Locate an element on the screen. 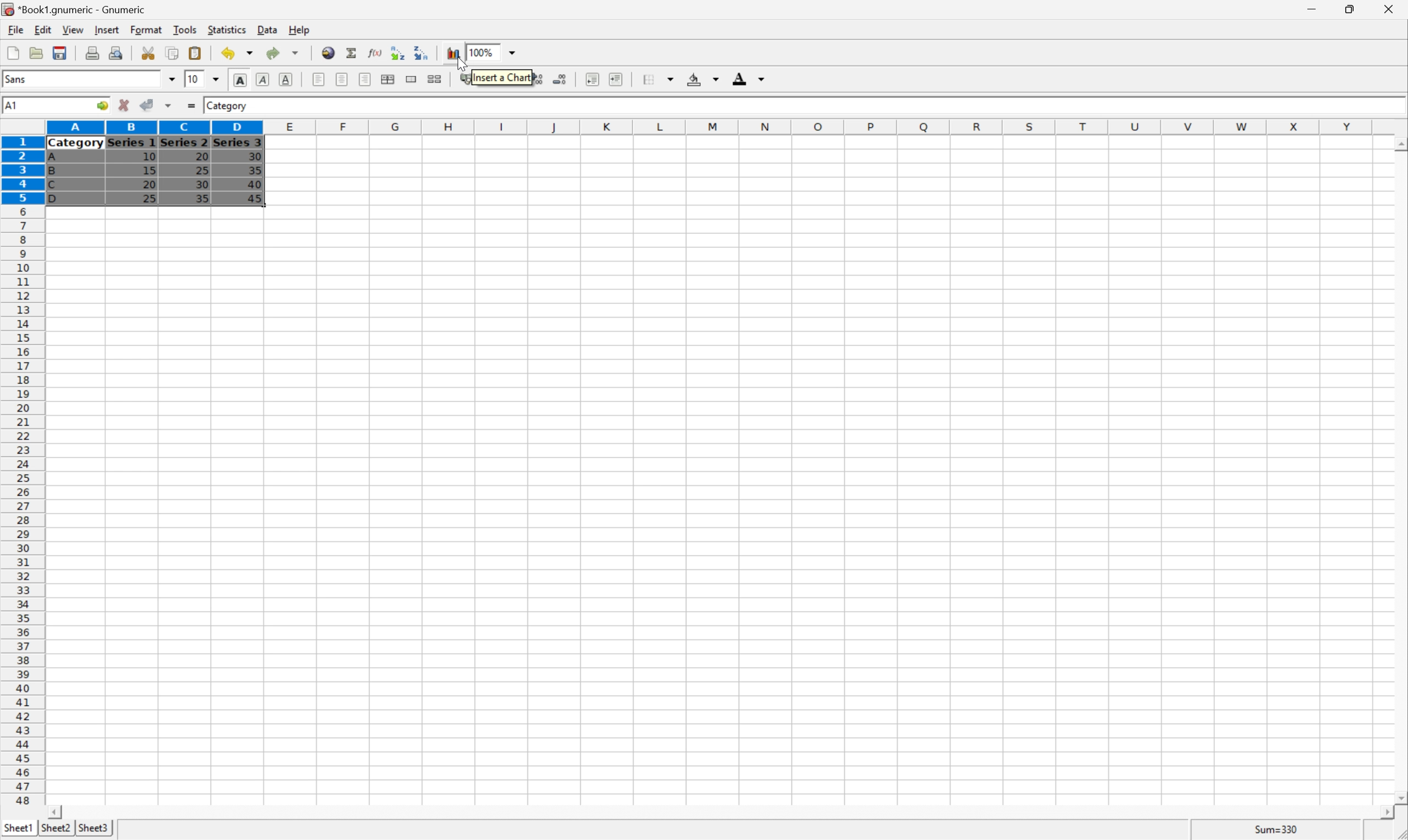  Align Left is located at coordinates (317, 77).